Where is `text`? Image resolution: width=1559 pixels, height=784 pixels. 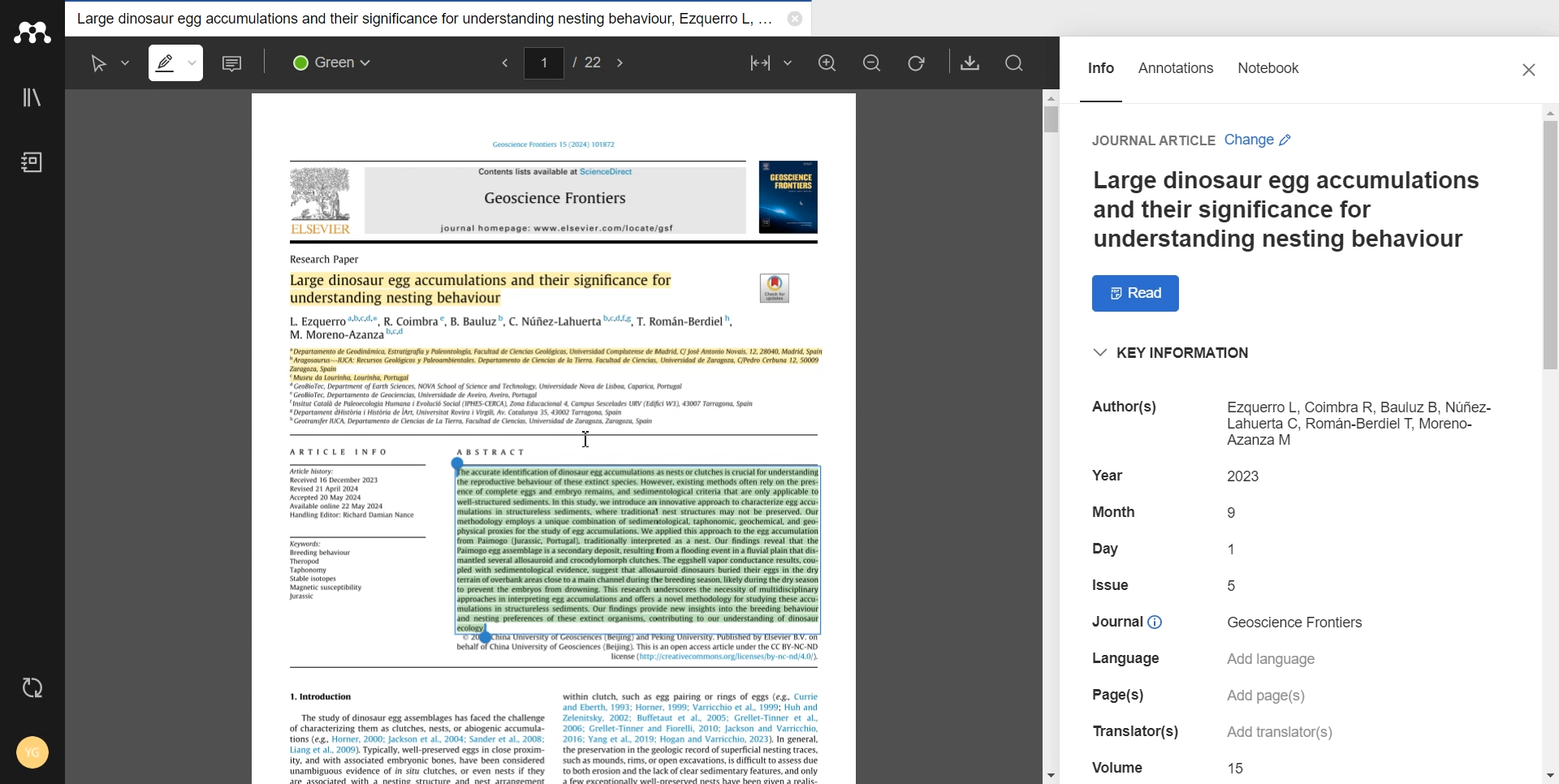
text is located at coordinates (1152, 141).